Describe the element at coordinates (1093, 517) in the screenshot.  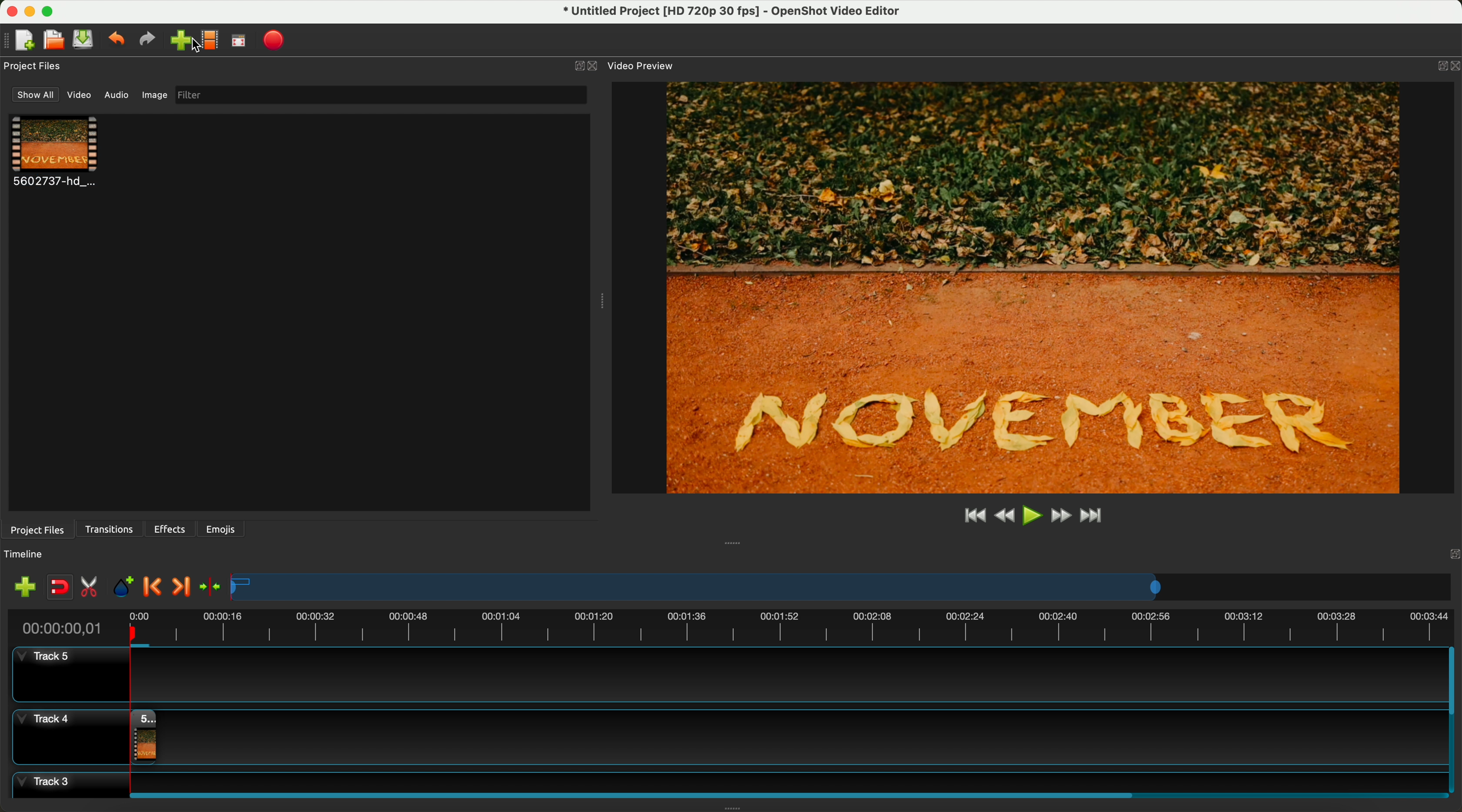
I see `jump to end` at that location.